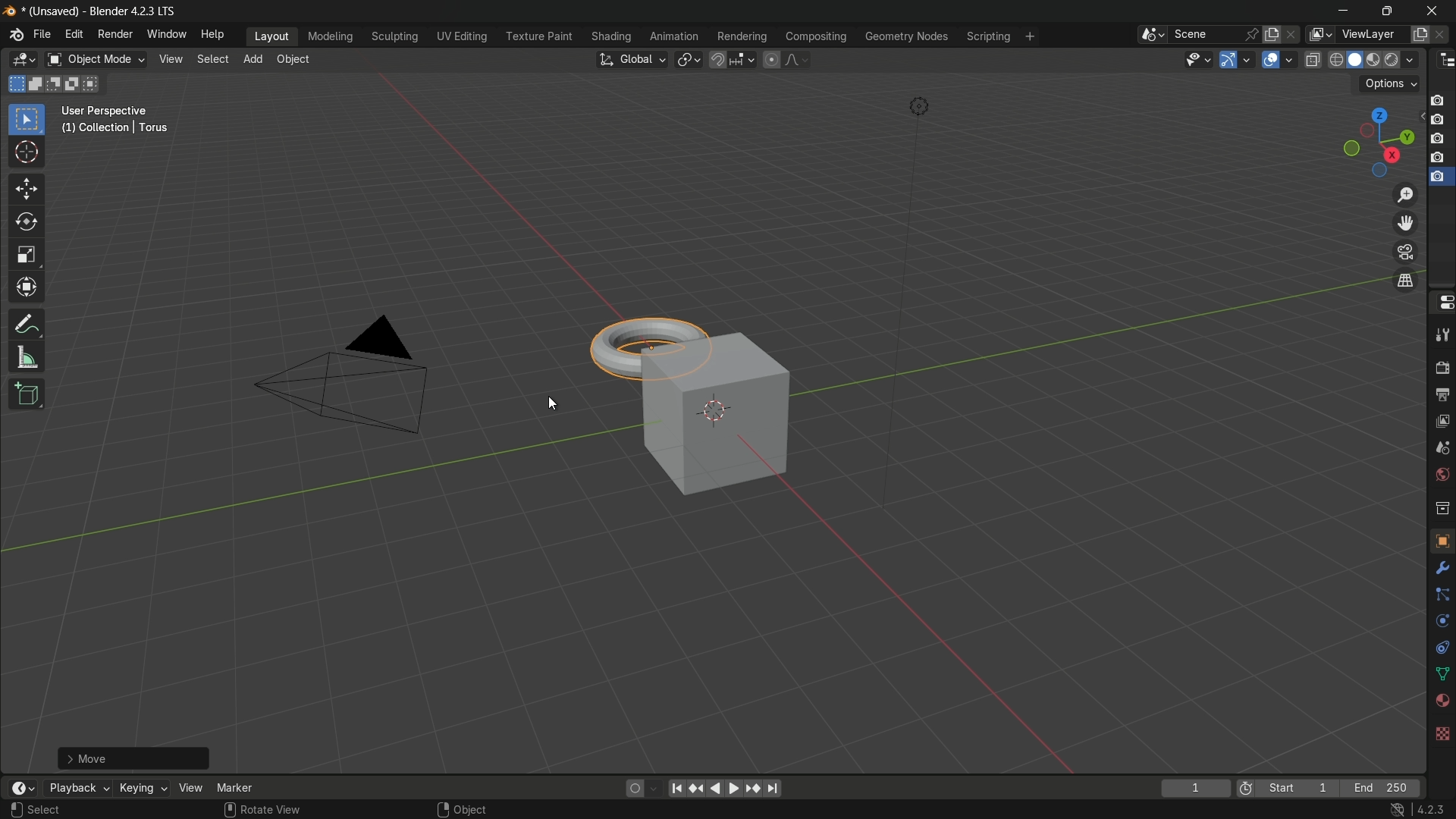 The width and height of the screenshot is (1456, 819). Describe the element at coordinates (1439, 675) in the screenshot. I see `data` at that location.